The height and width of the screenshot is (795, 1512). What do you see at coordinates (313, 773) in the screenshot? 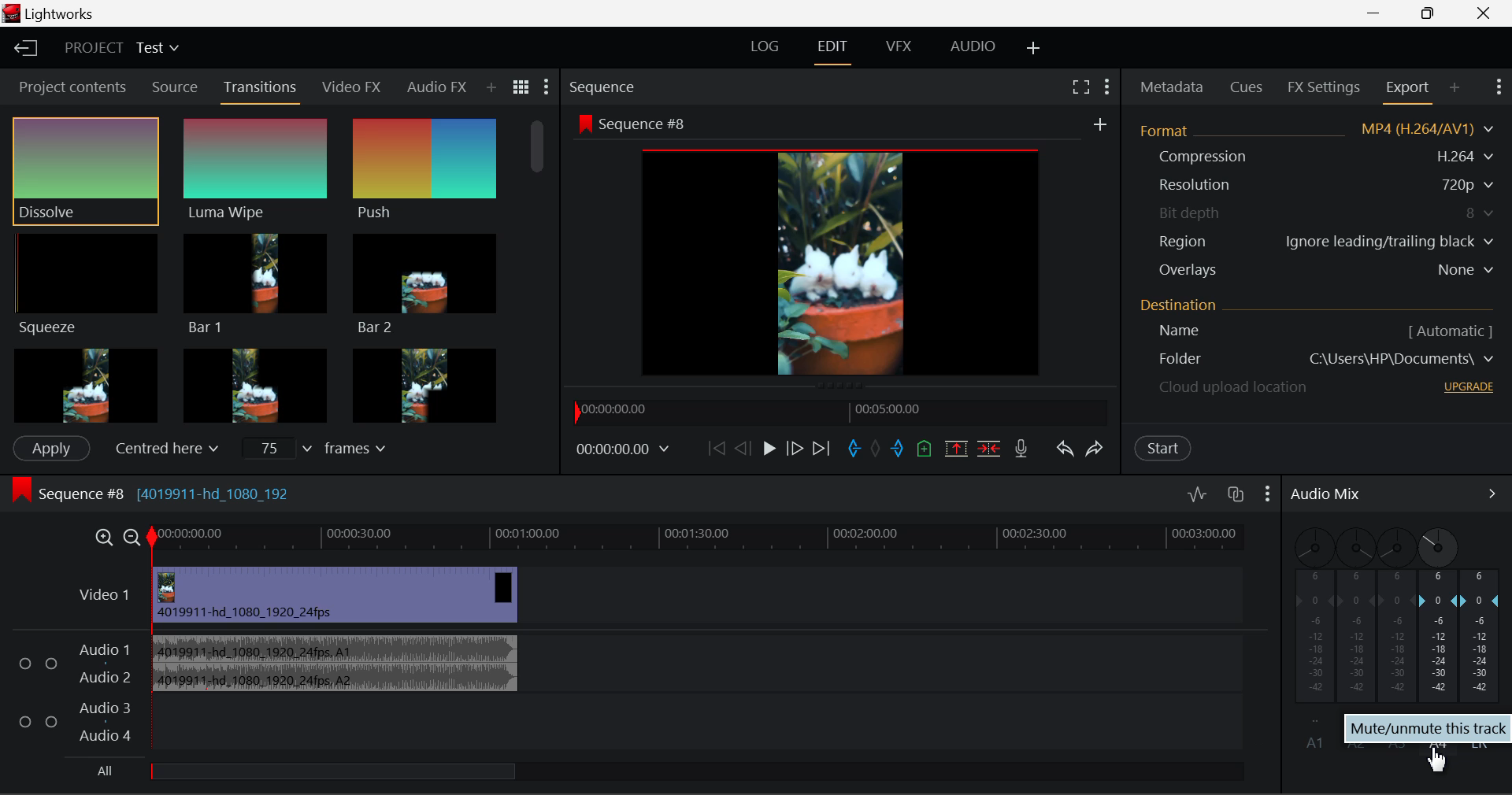
I see `All` at bounding box center [313, 773].